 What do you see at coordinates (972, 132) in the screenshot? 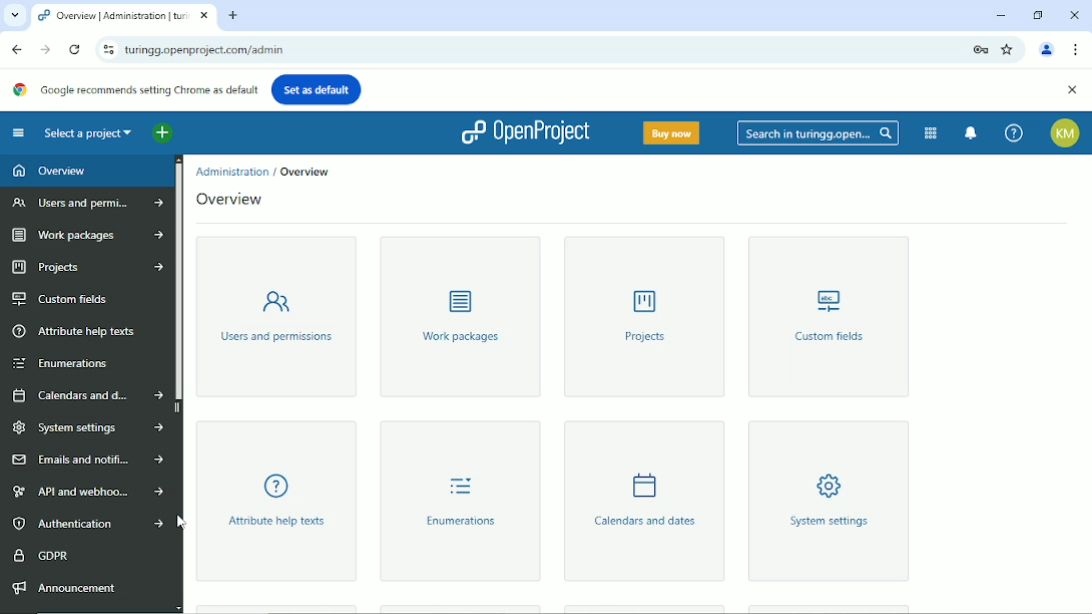
I see `To notification center` at bounding box center [972, 132].